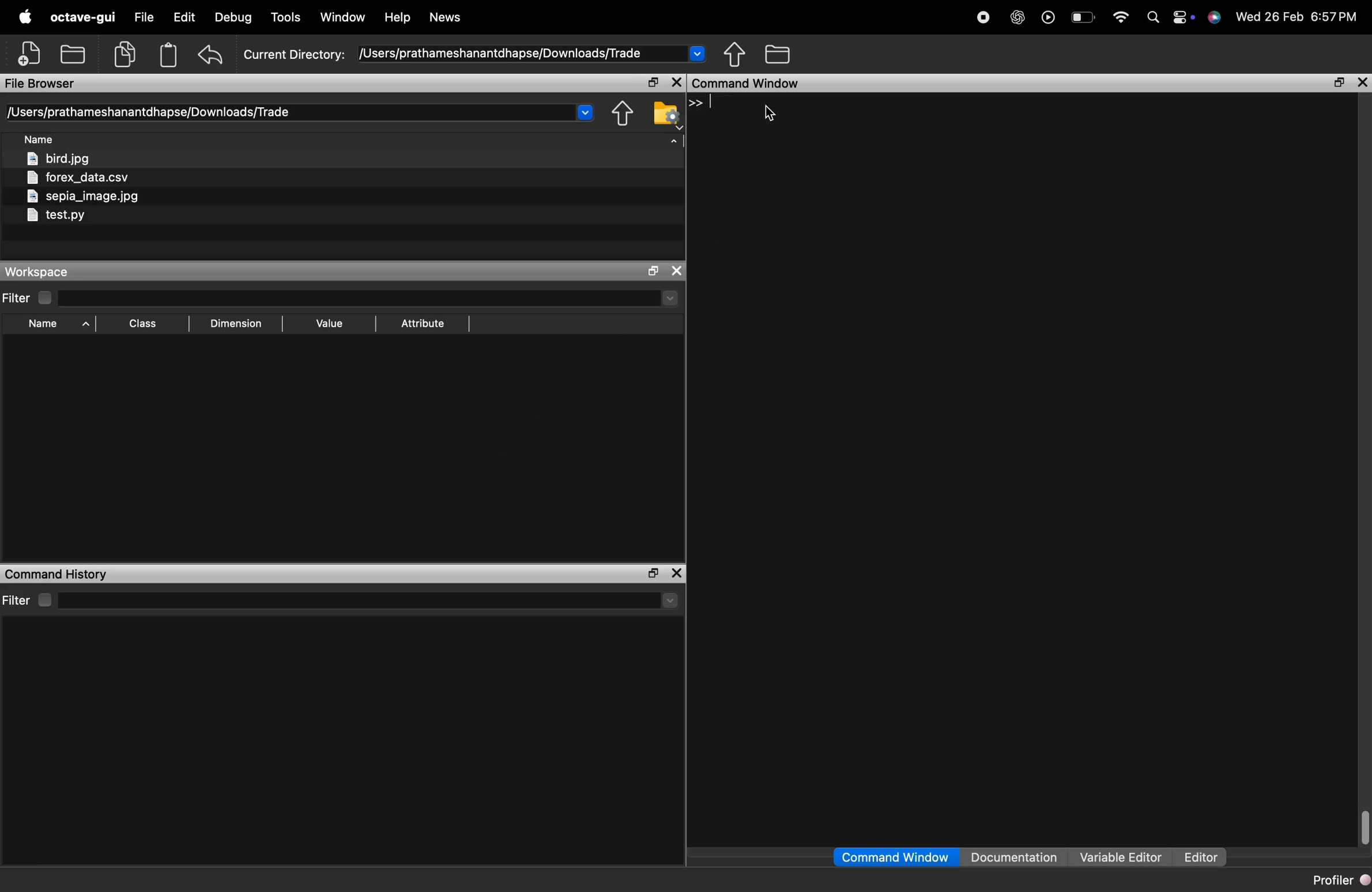 This screenshot has height=892, width=1372. Describe the element at coordinates (370, 600) in the screenshot. I see `select directory` at that location.